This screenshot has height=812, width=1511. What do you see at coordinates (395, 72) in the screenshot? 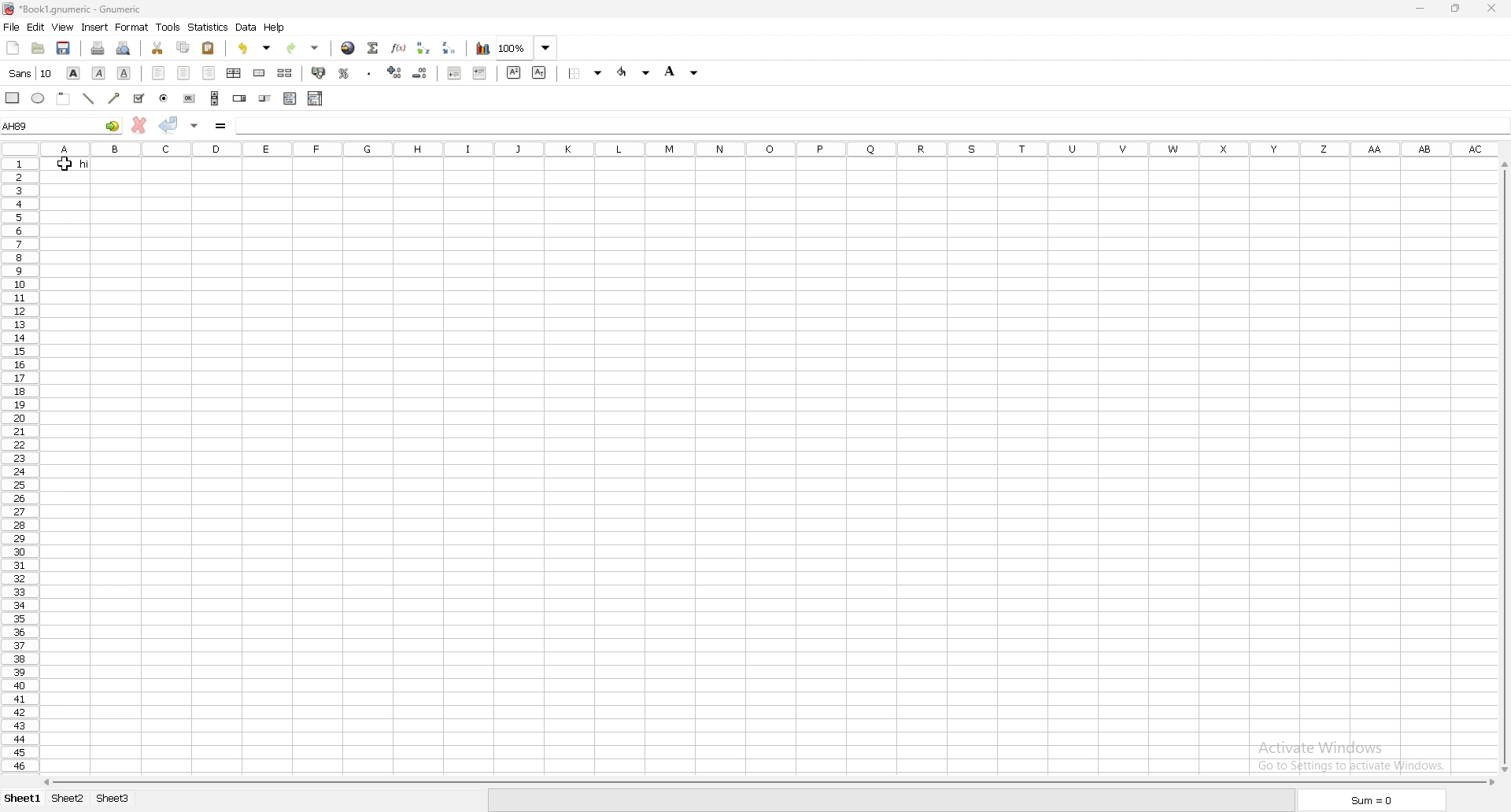
I see `decrease decimal` at bounding box center [395, 72].